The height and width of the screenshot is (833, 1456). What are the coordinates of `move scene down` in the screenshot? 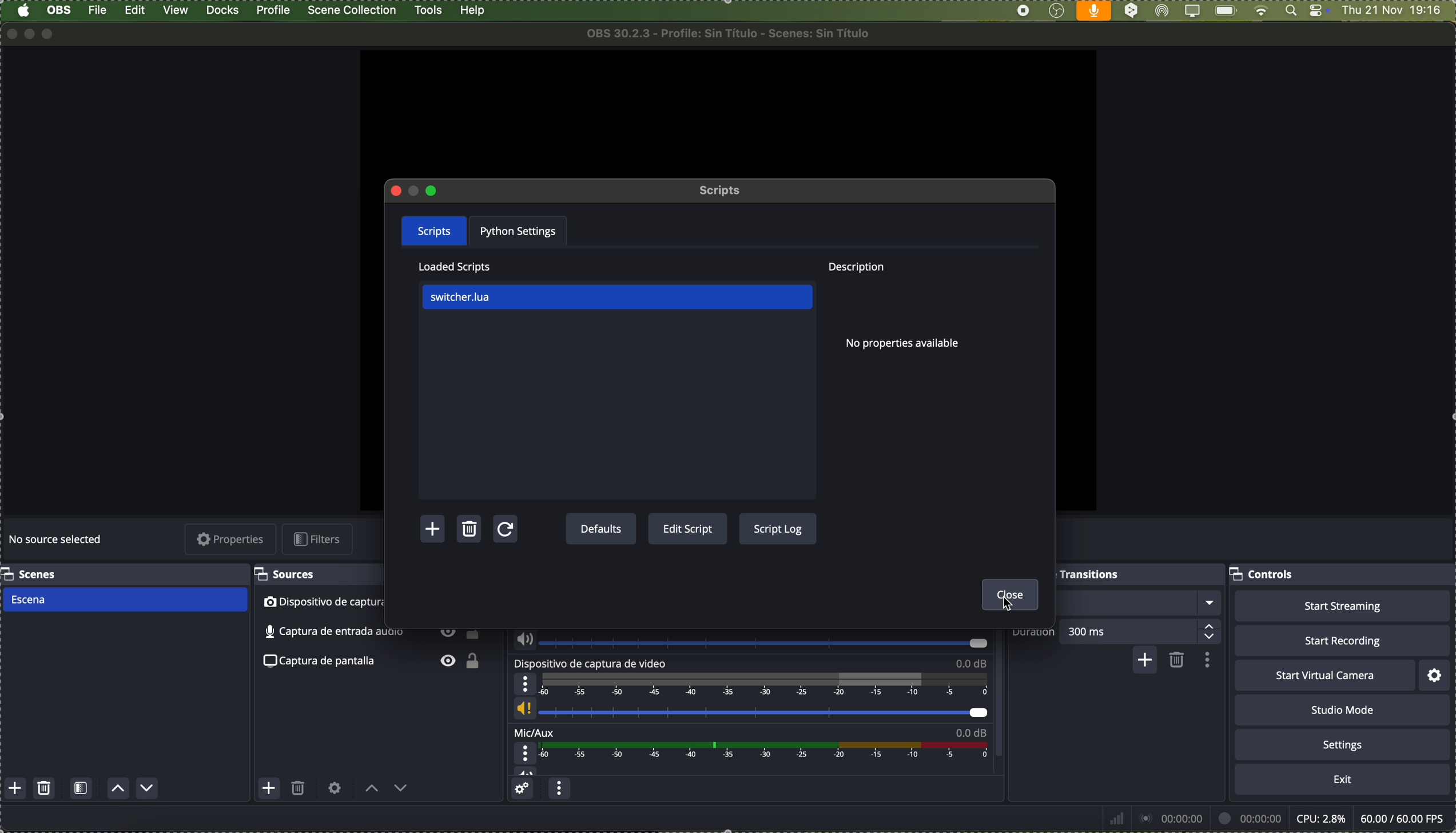 It's located at (148, 788).